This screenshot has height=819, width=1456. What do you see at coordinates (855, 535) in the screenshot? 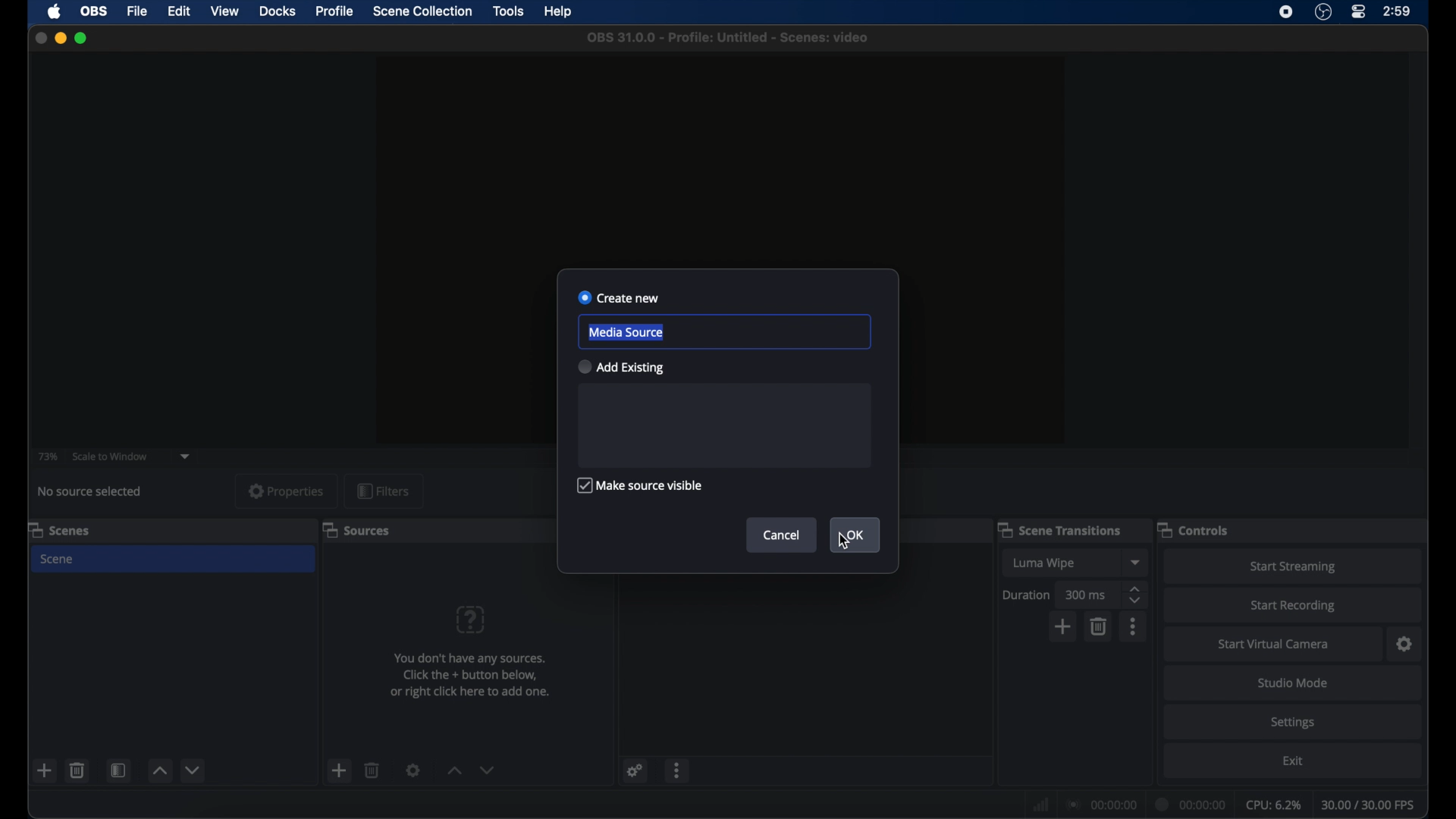
I see `ok` at bounding box center [855, 535].